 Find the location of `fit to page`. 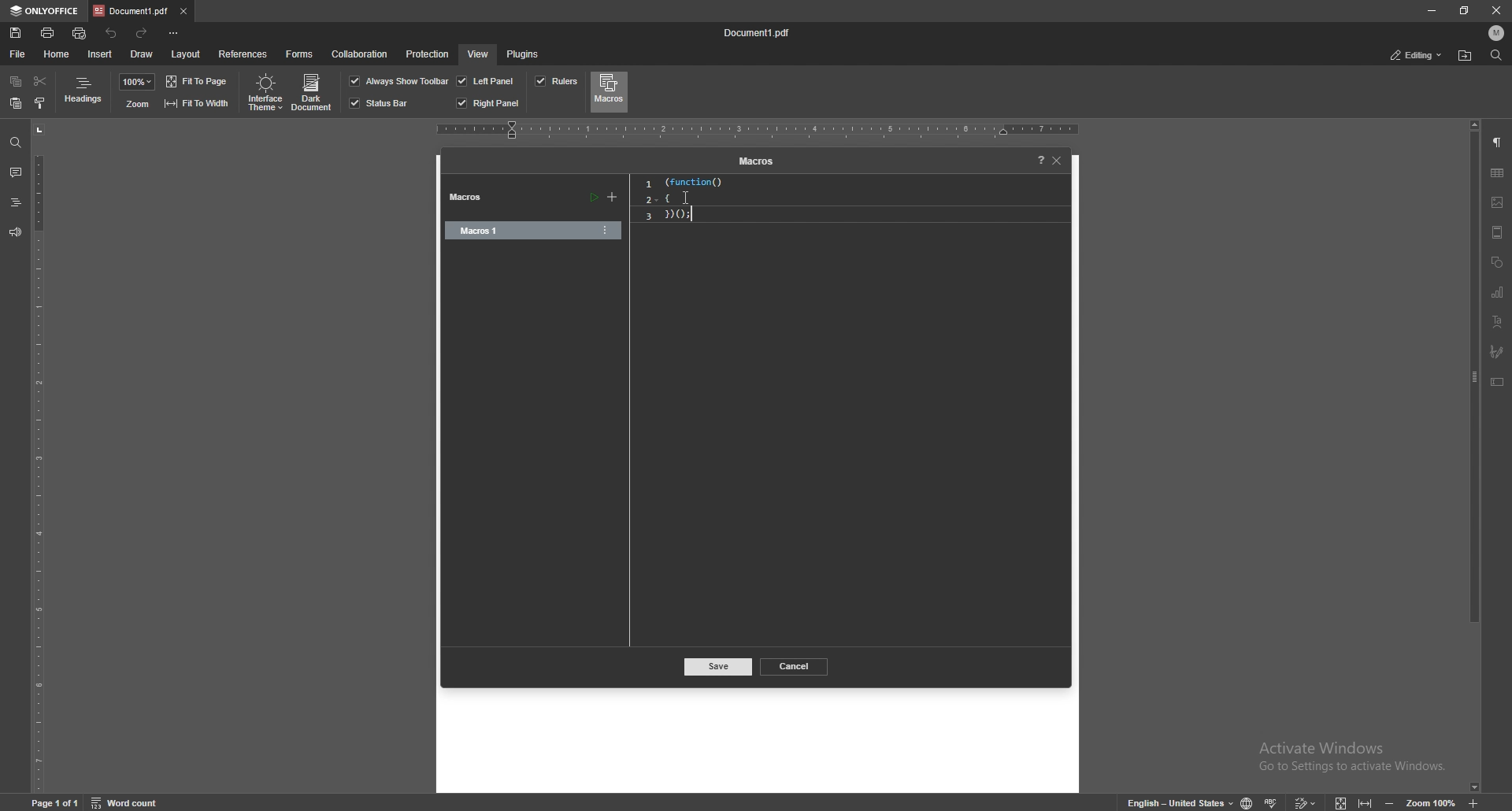

fit to page is located at coordinates (198, 81).